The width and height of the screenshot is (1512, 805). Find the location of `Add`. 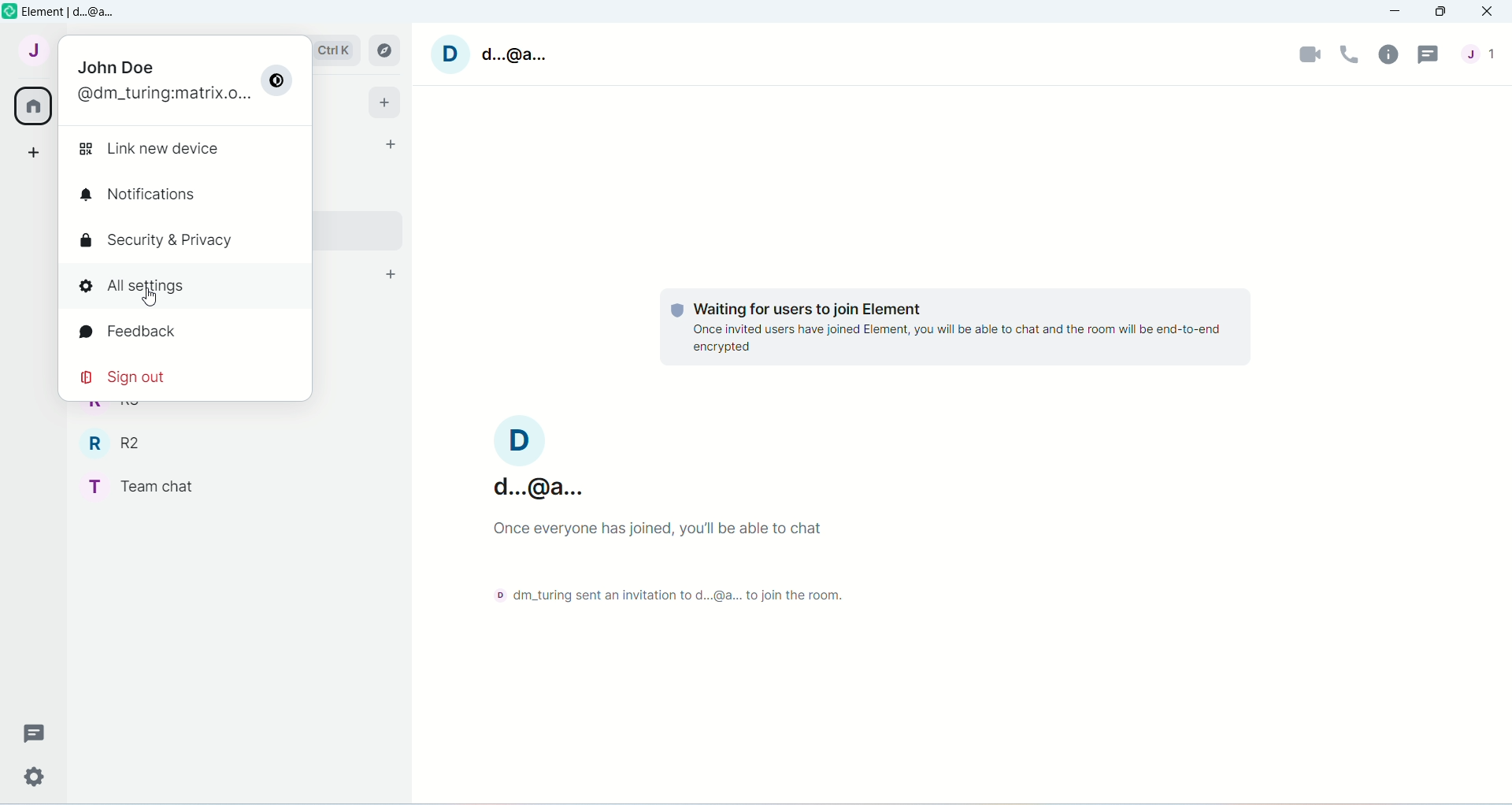

Add is located at coordinates (384, 103).